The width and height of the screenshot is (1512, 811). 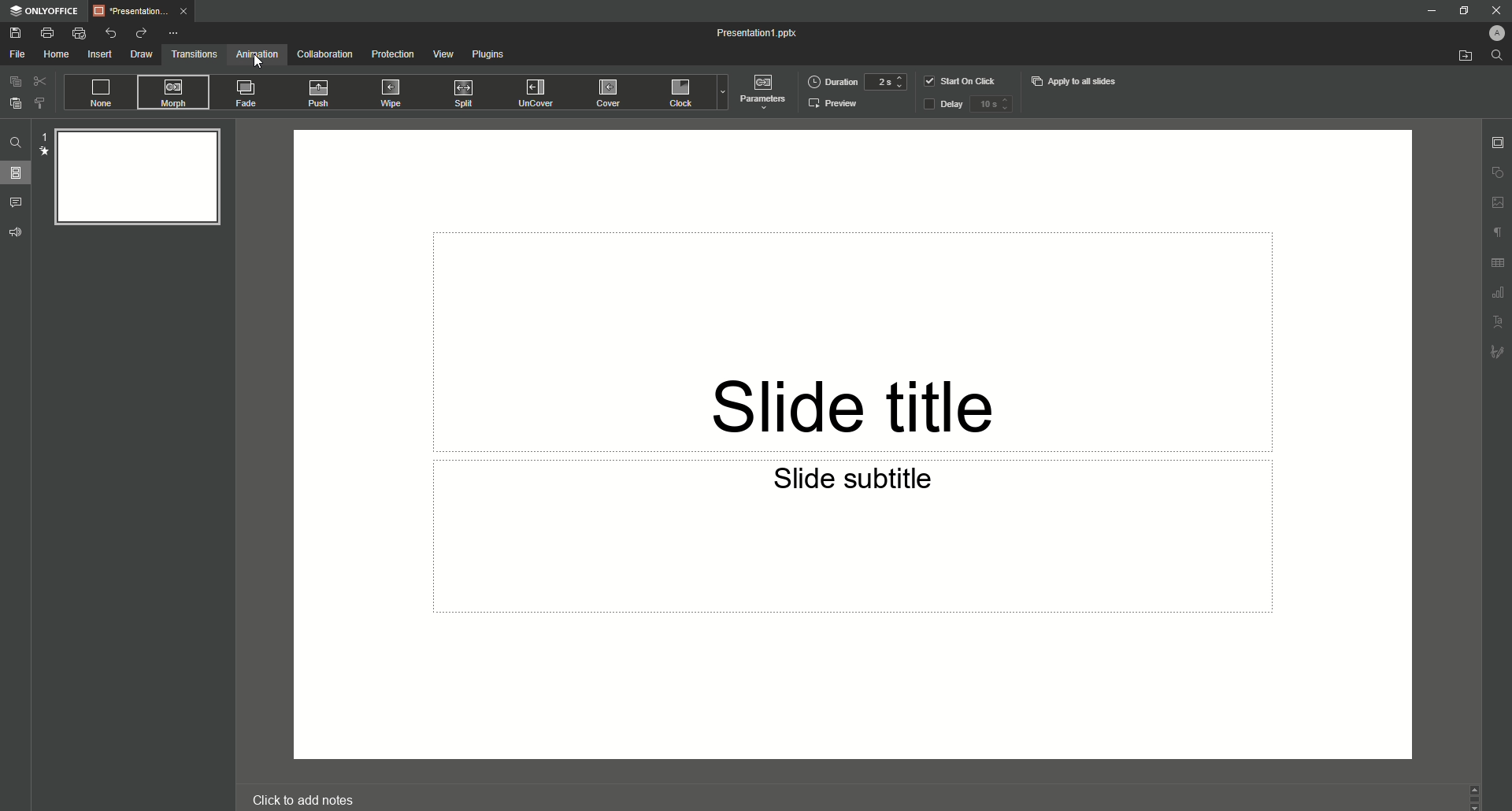 What do you see at coordinates (680, 92) in the screenshot?
I see `Clock` at bounding box center [680, 92].